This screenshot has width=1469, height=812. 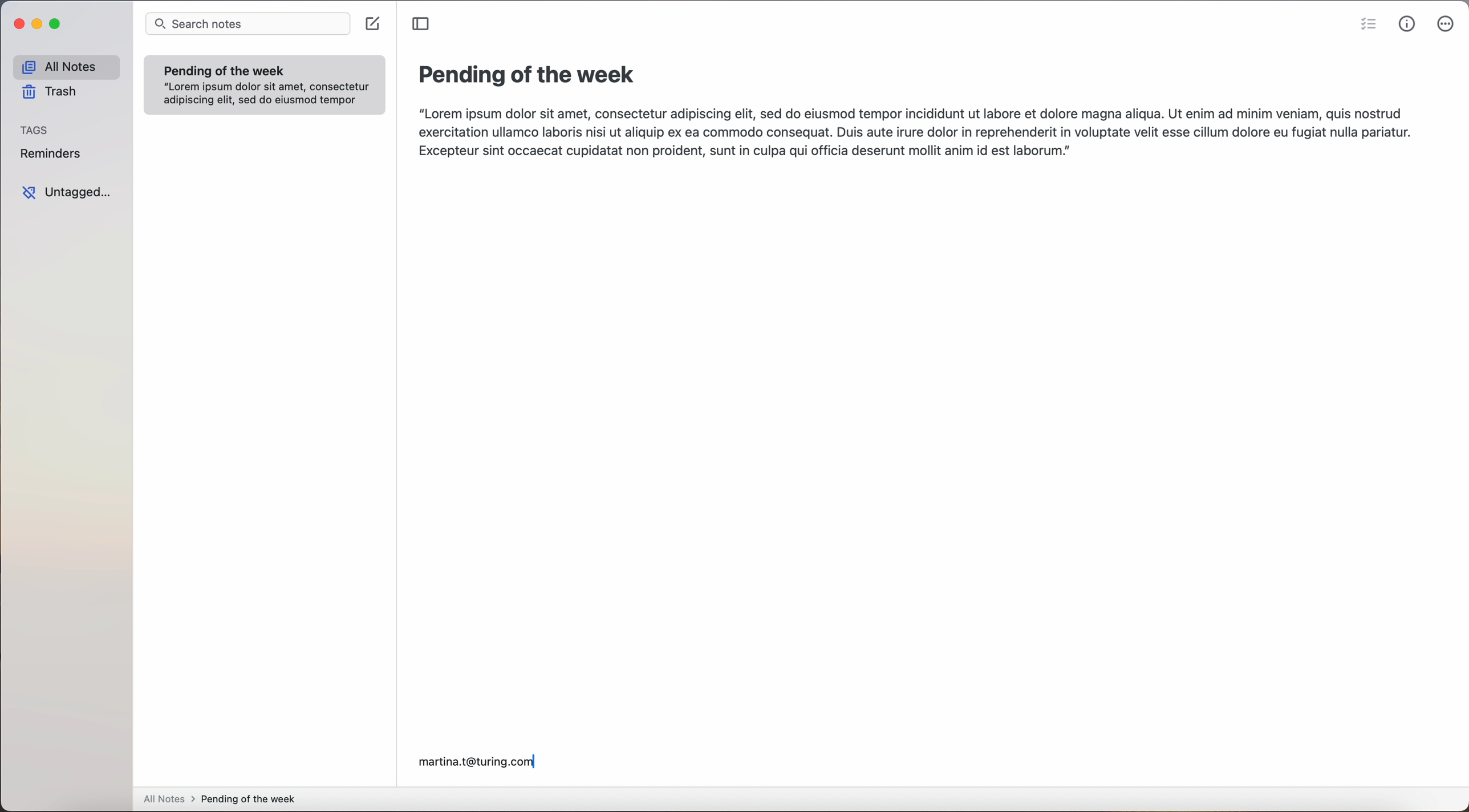 What do you see at coordinates (224, 800) in the screenshot?
I see `all notes > pending of the week` at bounding box center [224, 800].